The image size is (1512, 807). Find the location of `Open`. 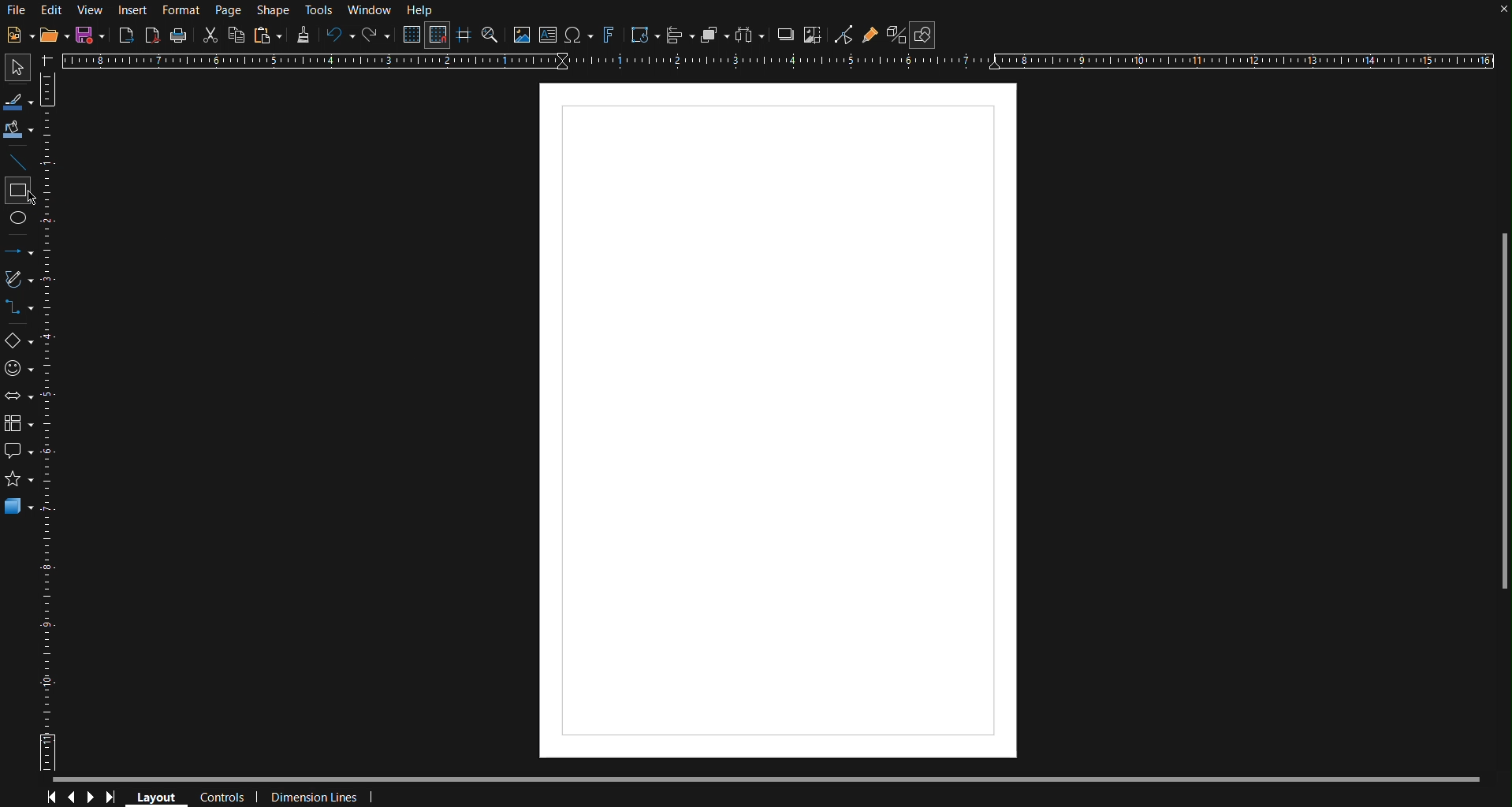

Open is located at coordinates (56, 34).